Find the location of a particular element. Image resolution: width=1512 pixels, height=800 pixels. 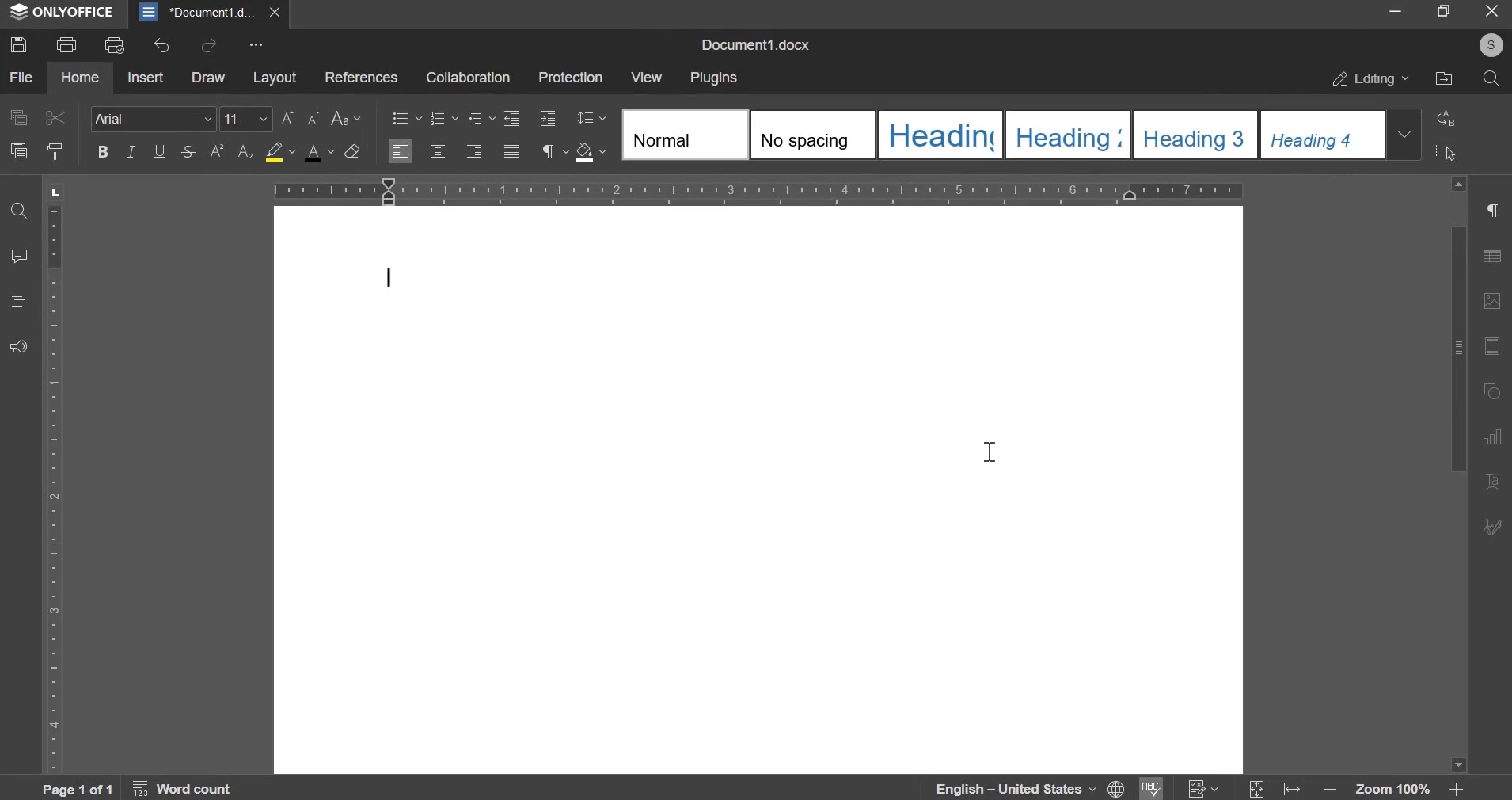

cut is located at coordinates (58, 119).